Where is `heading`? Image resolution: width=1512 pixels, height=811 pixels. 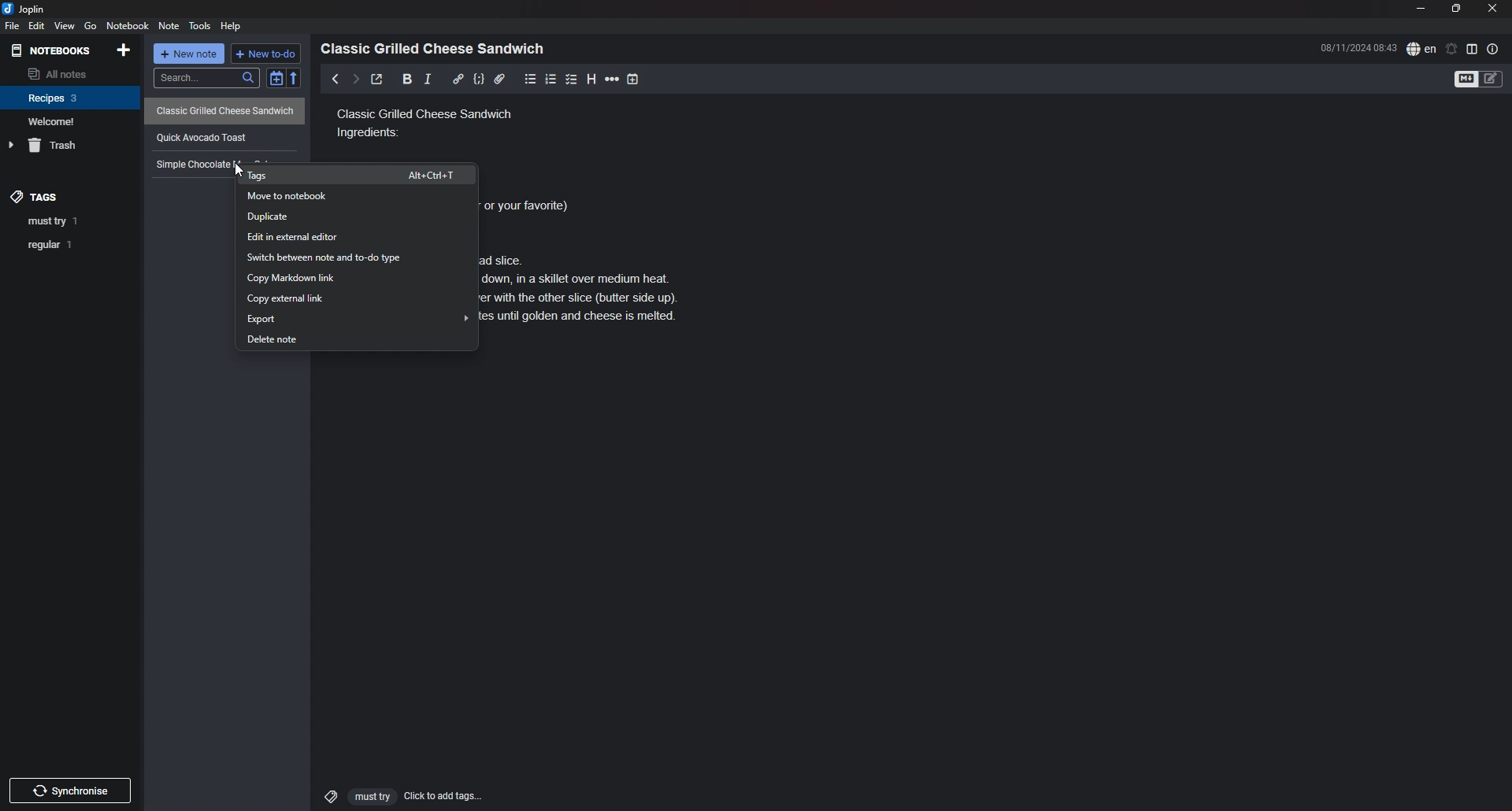
heading is located at coordinates (437, 49).